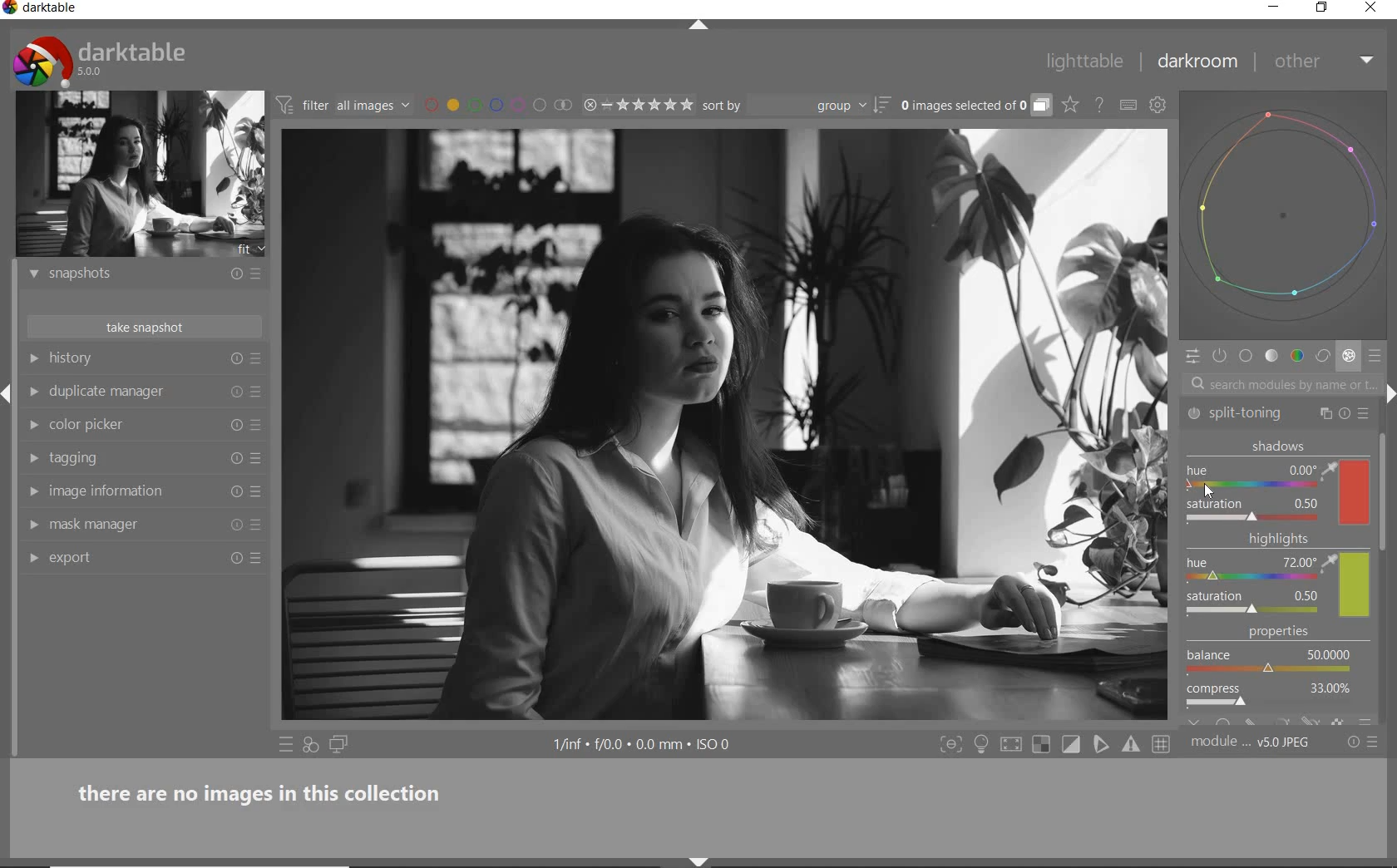 The image size is (1397, 868). What do you see at coordinates (235, 392) in the screenshot?
I see `reset` at bounding box center [235, 392].